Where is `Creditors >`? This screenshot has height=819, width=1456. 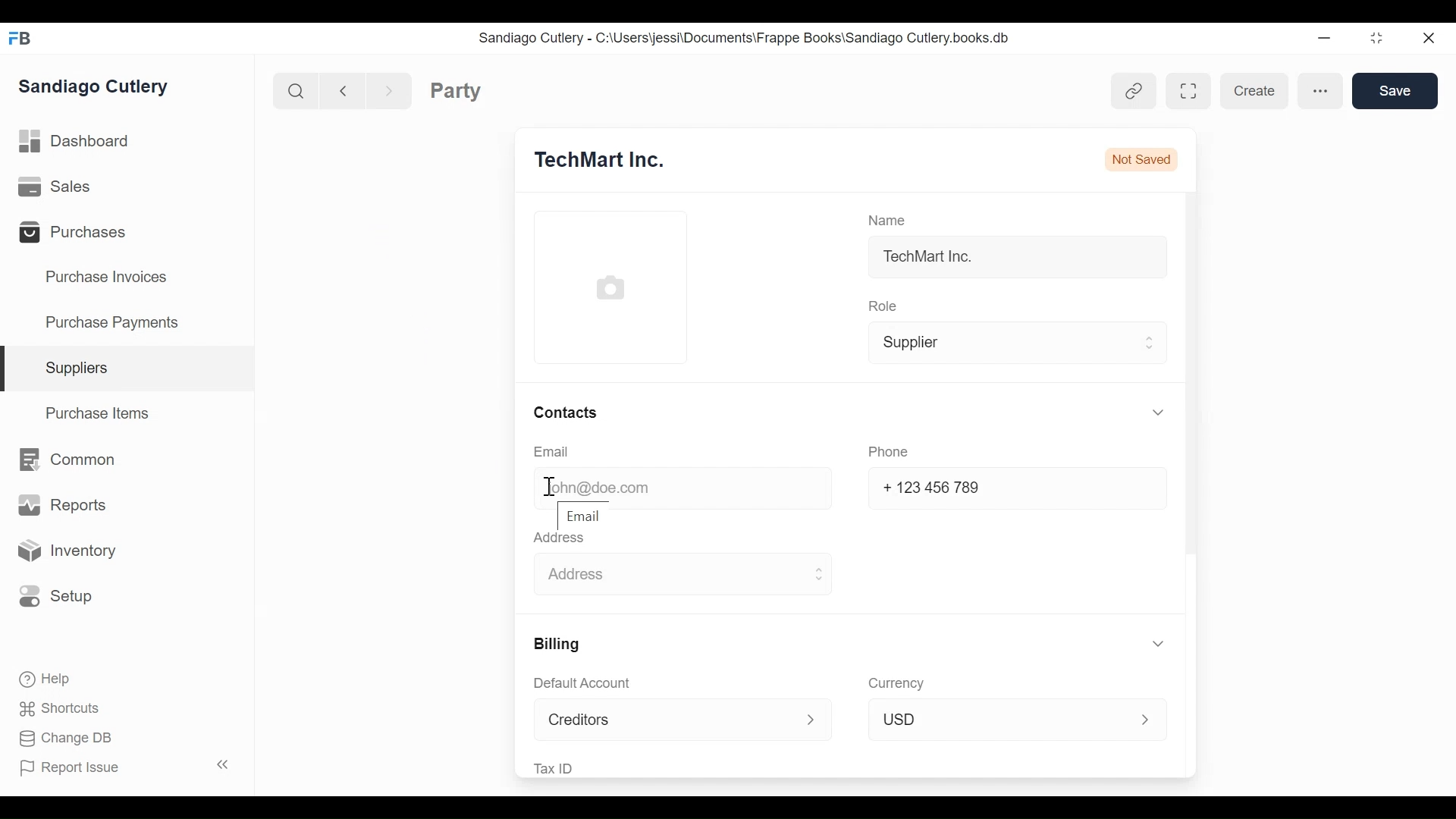
Creditors > is located at coordinates (678, 720).